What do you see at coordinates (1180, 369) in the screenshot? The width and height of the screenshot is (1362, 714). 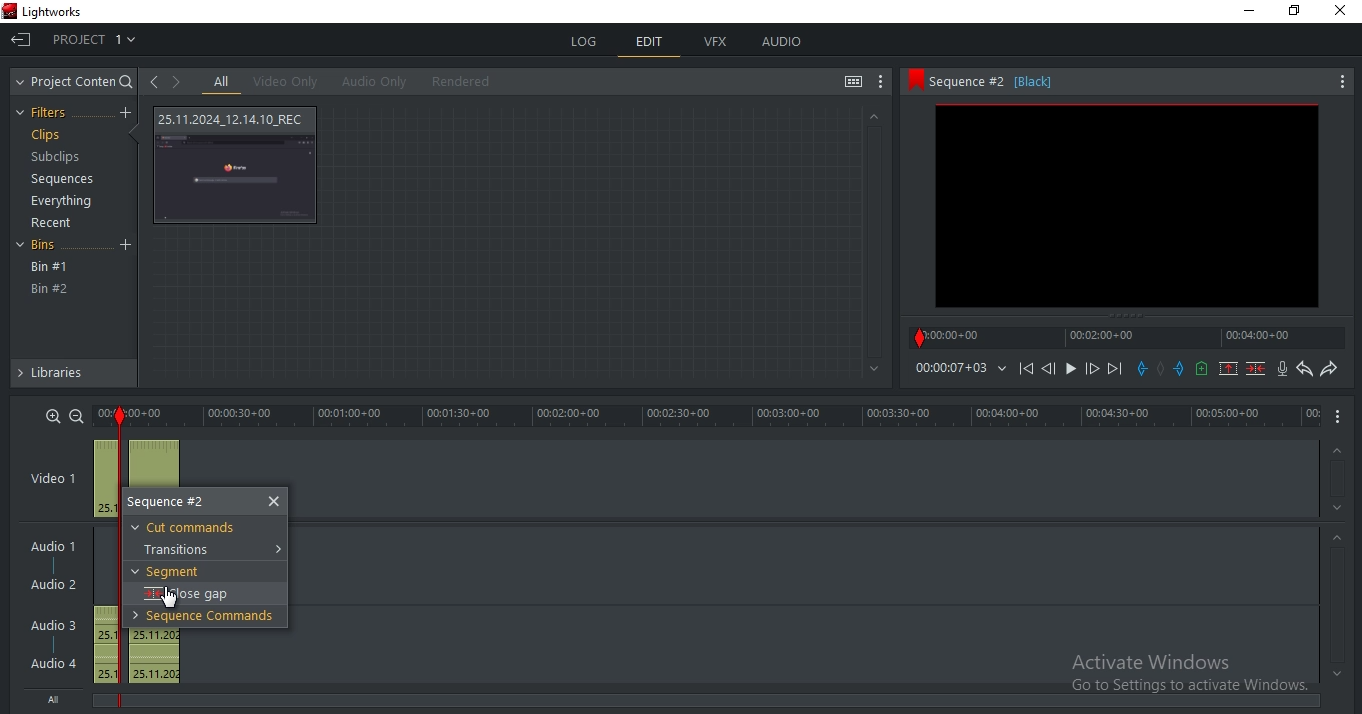 I see `add an out mark` at bounding box center [1180, 369].